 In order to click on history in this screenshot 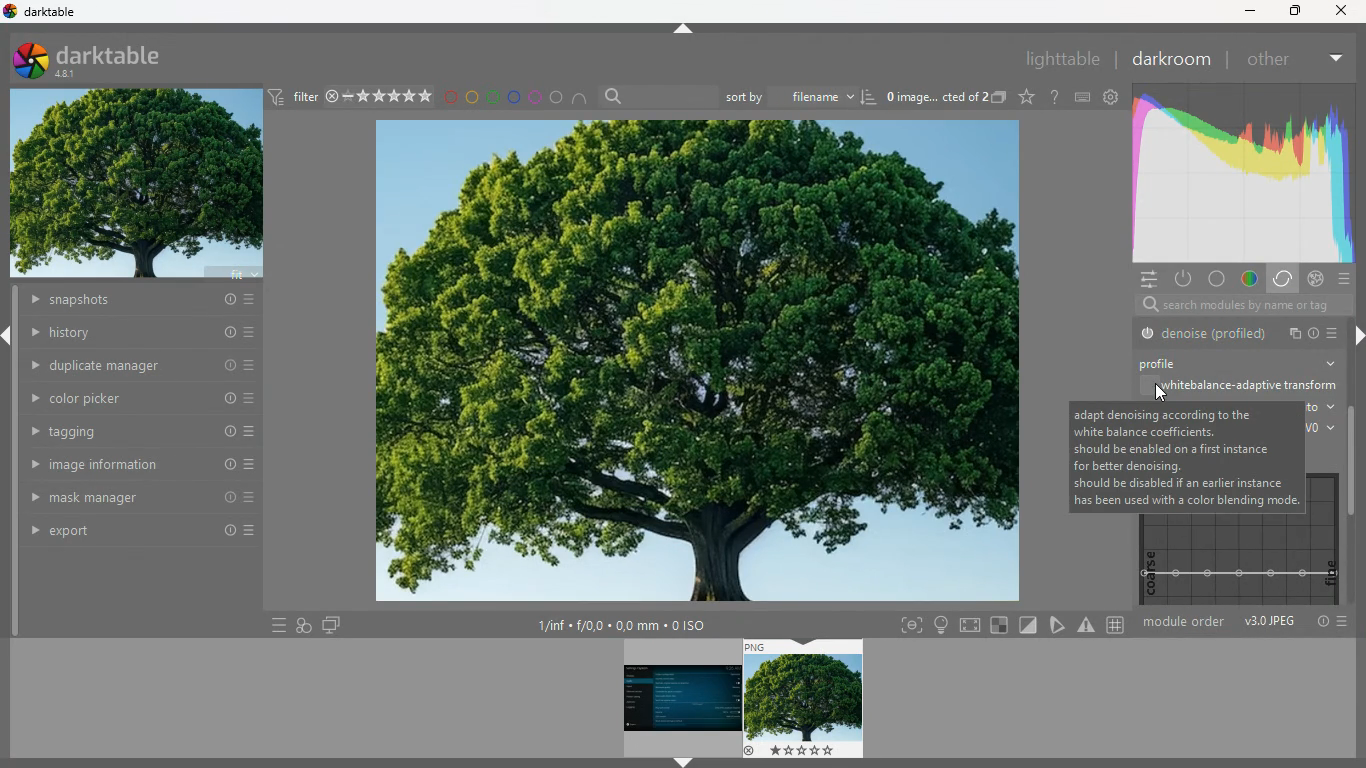, I will do `click(139, 334)`.